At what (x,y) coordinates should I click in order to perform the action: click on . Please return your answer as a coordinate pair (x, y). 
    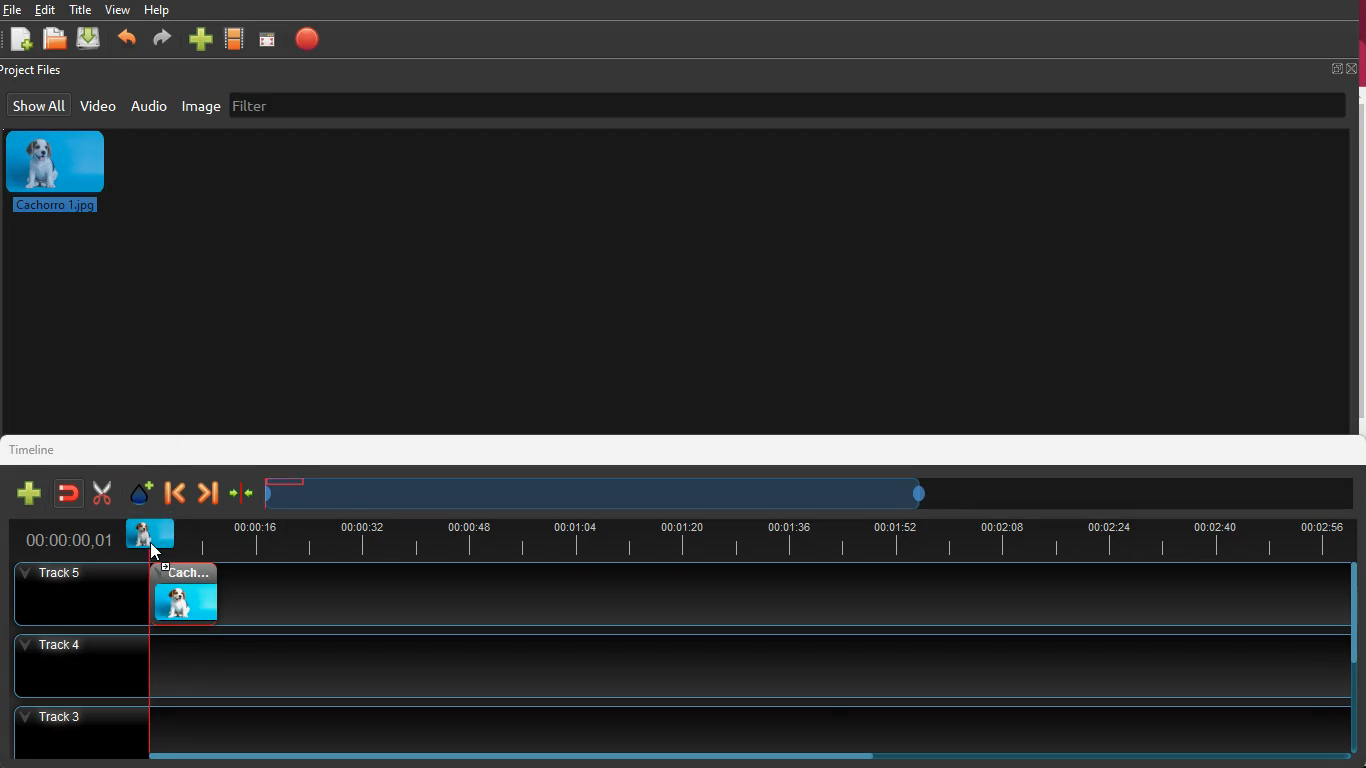
    Looking at the image, I should click on (61, 594).